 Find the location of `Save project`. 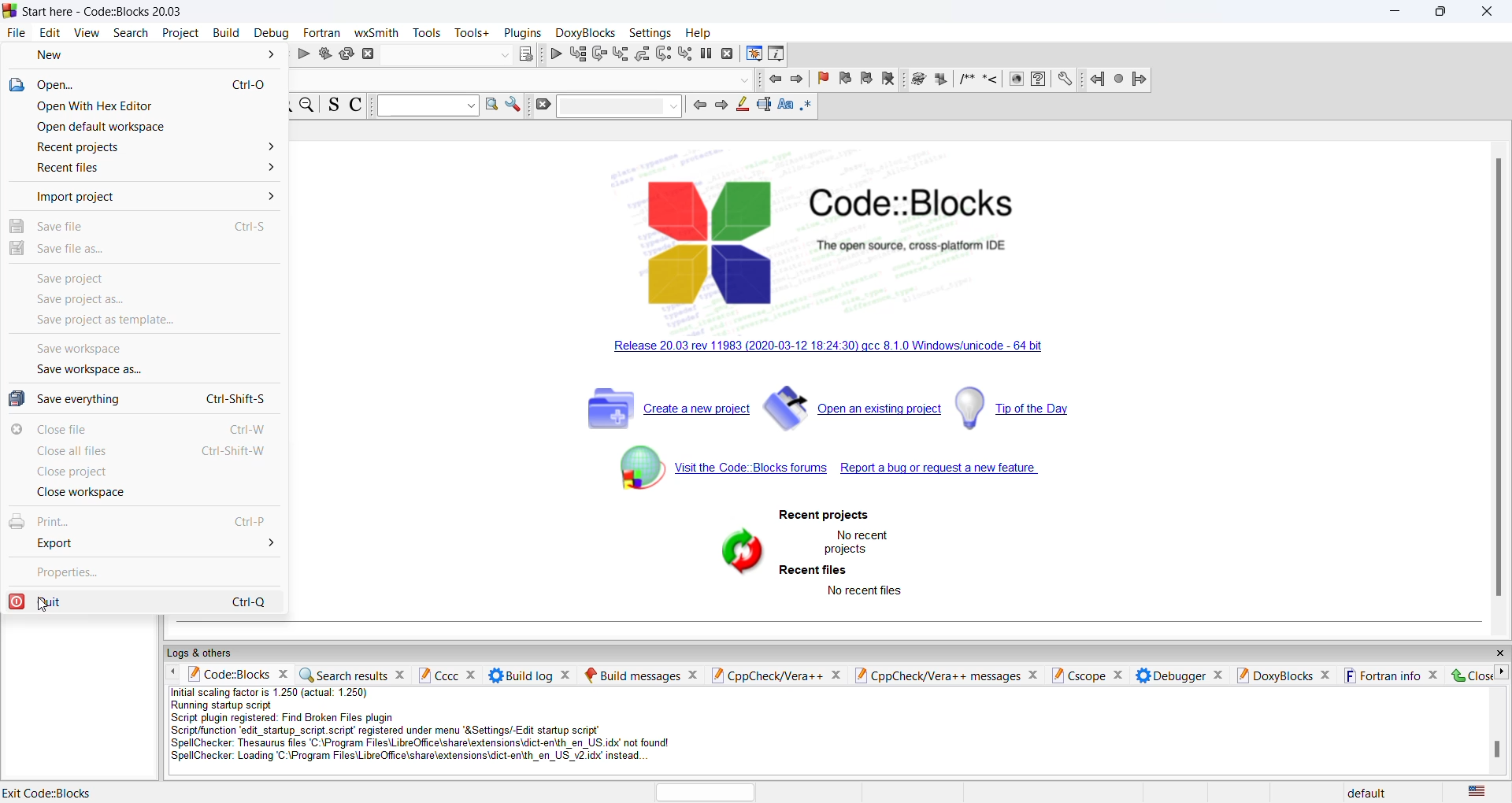

Save project is located at coordinates (74, 279).